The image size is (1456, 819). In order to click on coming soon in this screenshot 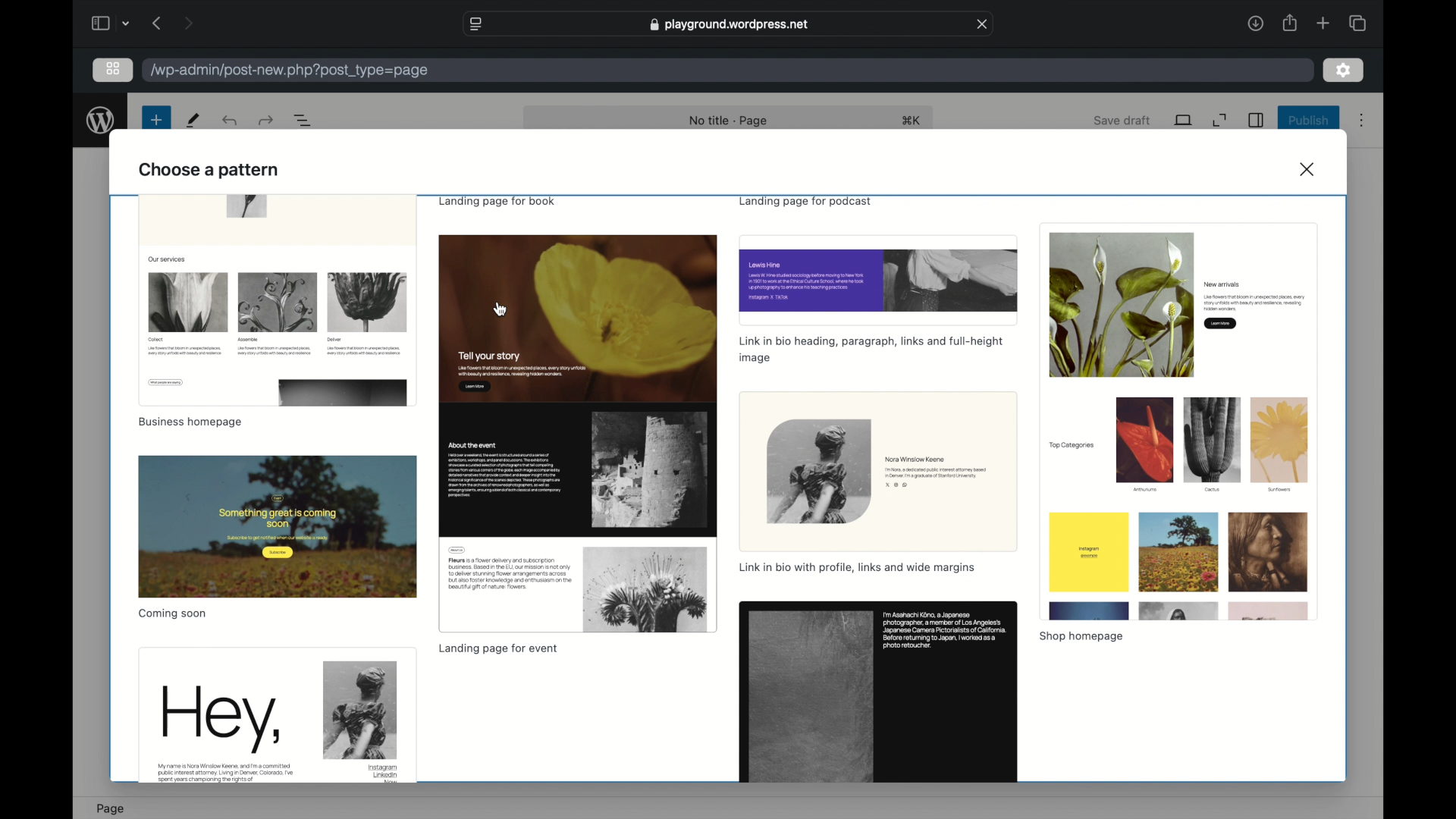, I will do `click(174, 614)`.